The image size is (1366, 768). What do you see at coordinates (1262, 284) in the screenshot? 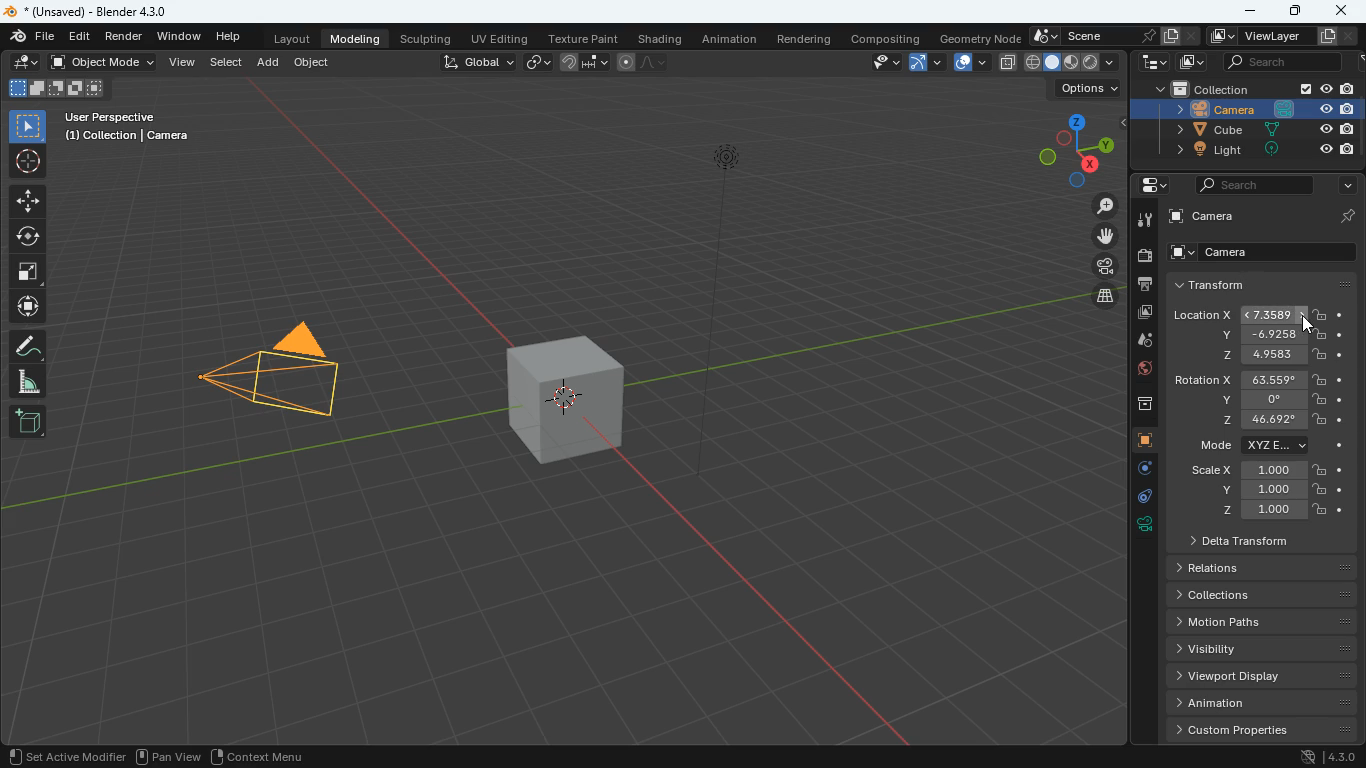
I see `transform` at bounding box center [1262, 284].